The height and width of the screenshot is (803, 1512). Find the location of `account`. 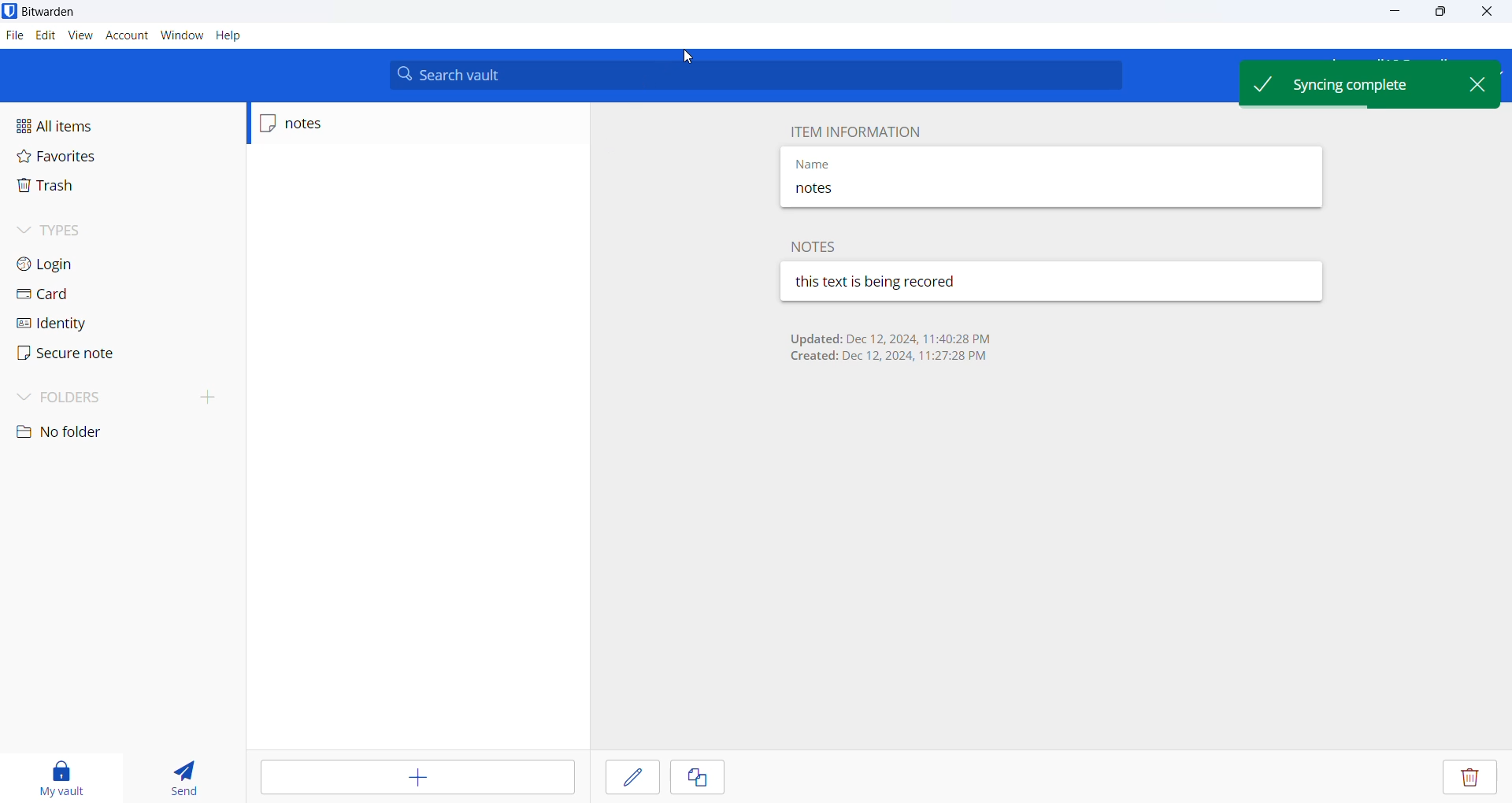

account is located at coordinates (124, 35).